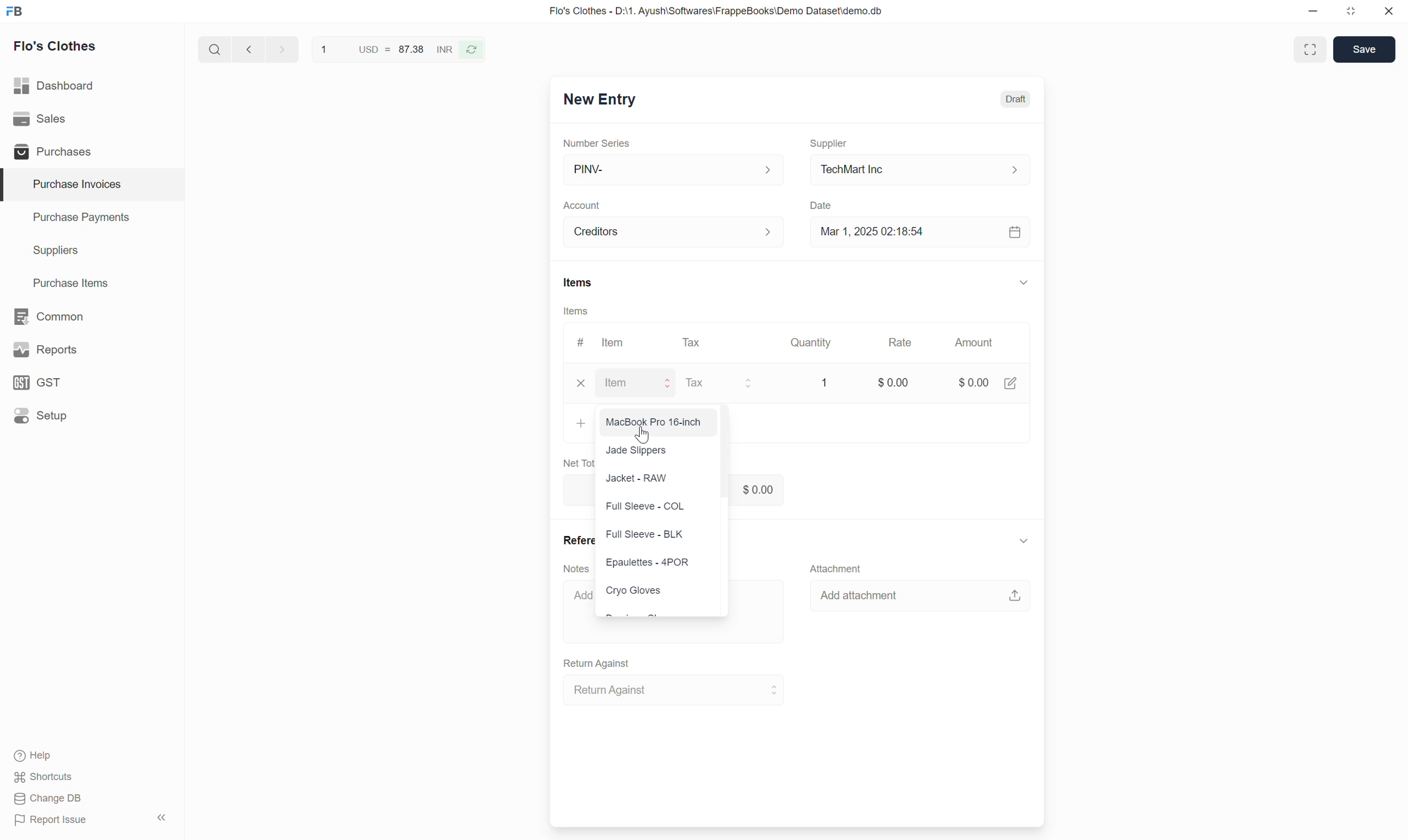 Image resolution: width=1408 pixels, height=840 pixels. What do you see at coordinates (921, 170) in the screenshot?
I see `TechMart Inc` at bounding box center [921, 170].